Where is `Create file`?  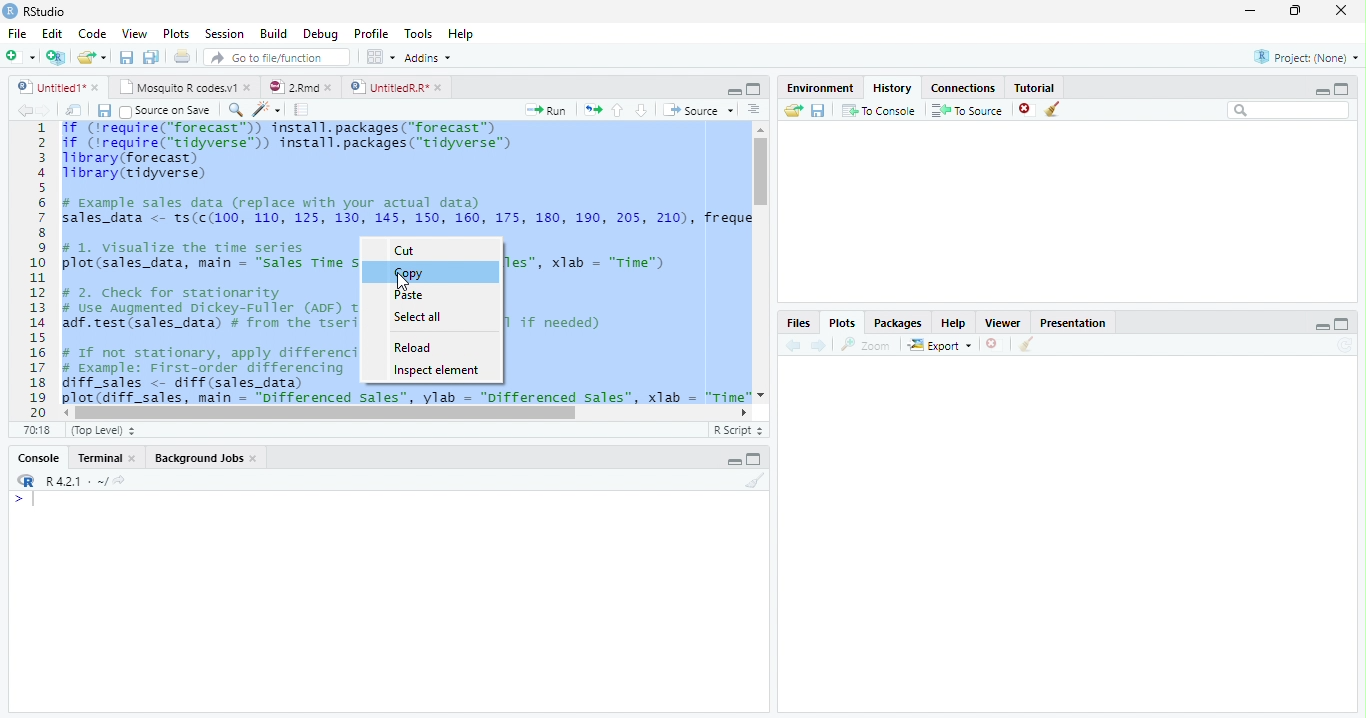
Create file is located at coordinates (21, 58).